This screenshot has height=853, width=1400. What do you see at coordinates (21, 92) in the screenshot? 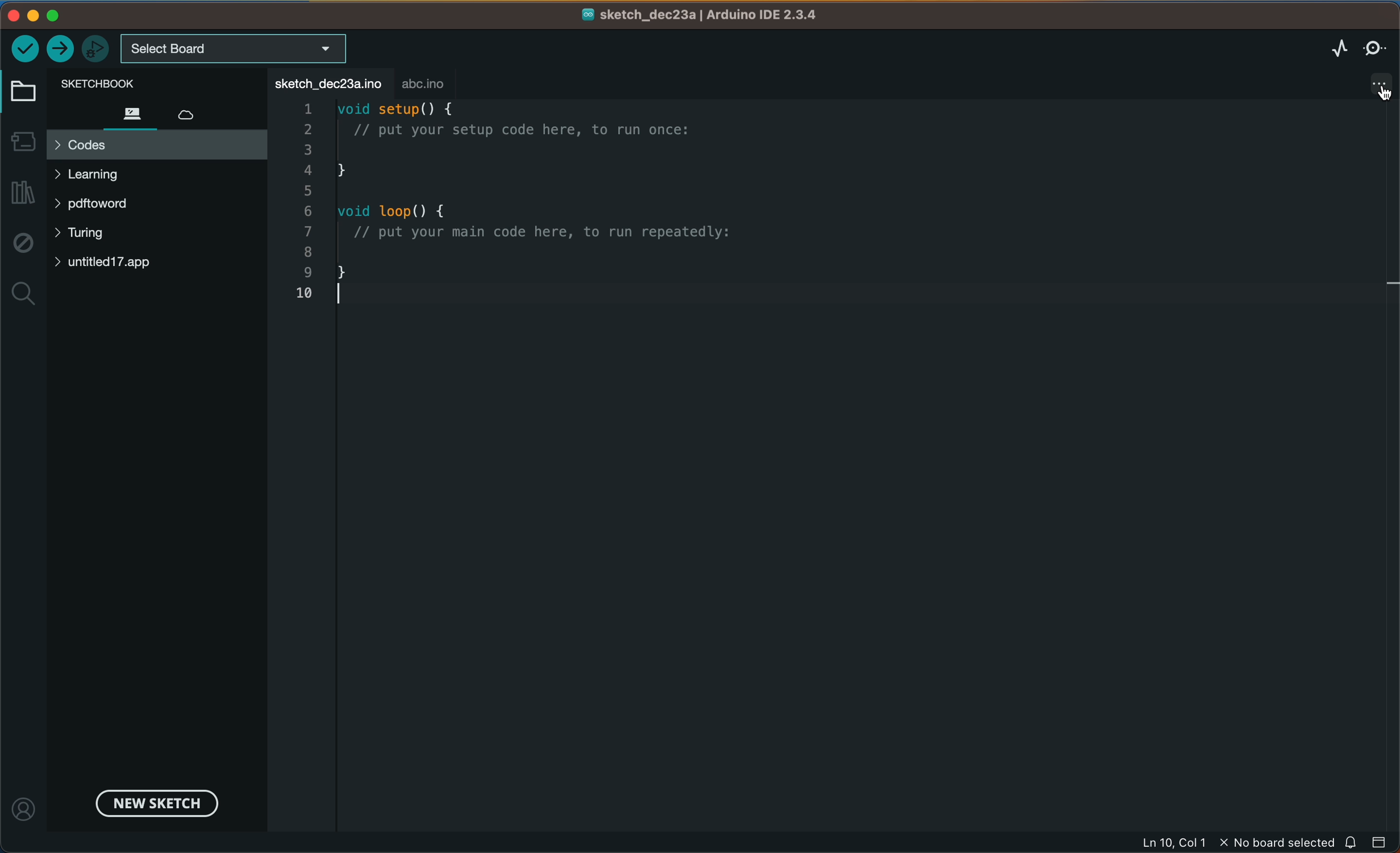
I see `folder` at bounding box center [21, 92].